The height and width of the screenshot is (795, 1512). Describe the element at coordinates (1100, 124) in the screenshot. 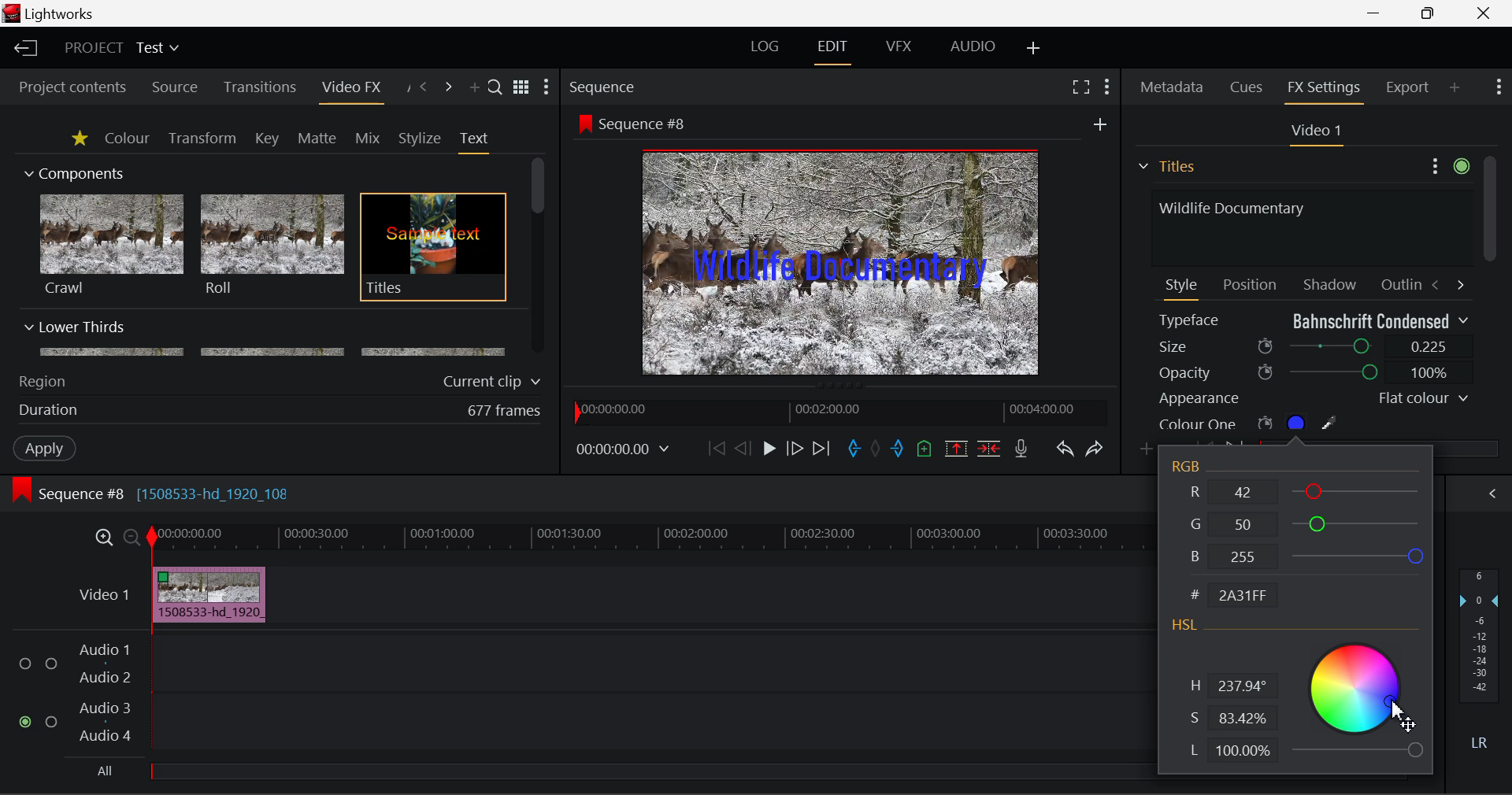

I see `add` at that location.